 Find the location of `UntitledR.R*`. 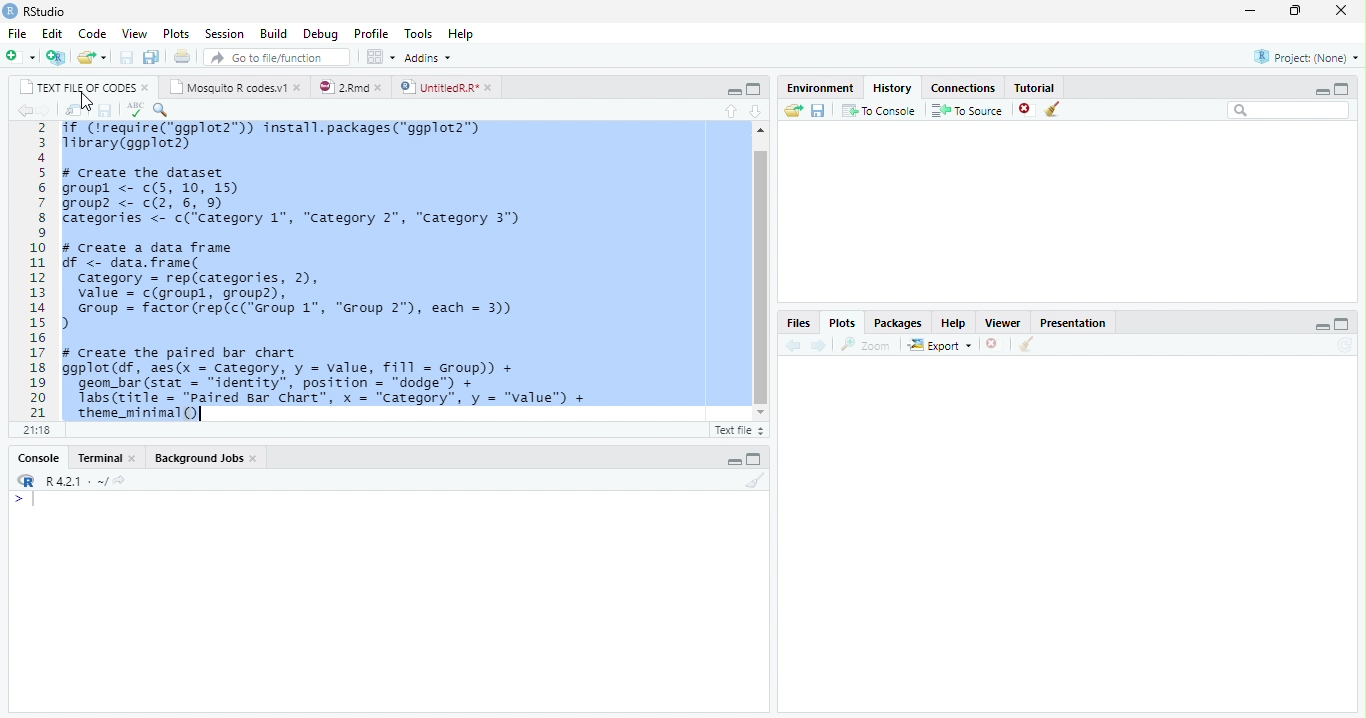

UntitledR.R* is located at coordinates (439, 87).